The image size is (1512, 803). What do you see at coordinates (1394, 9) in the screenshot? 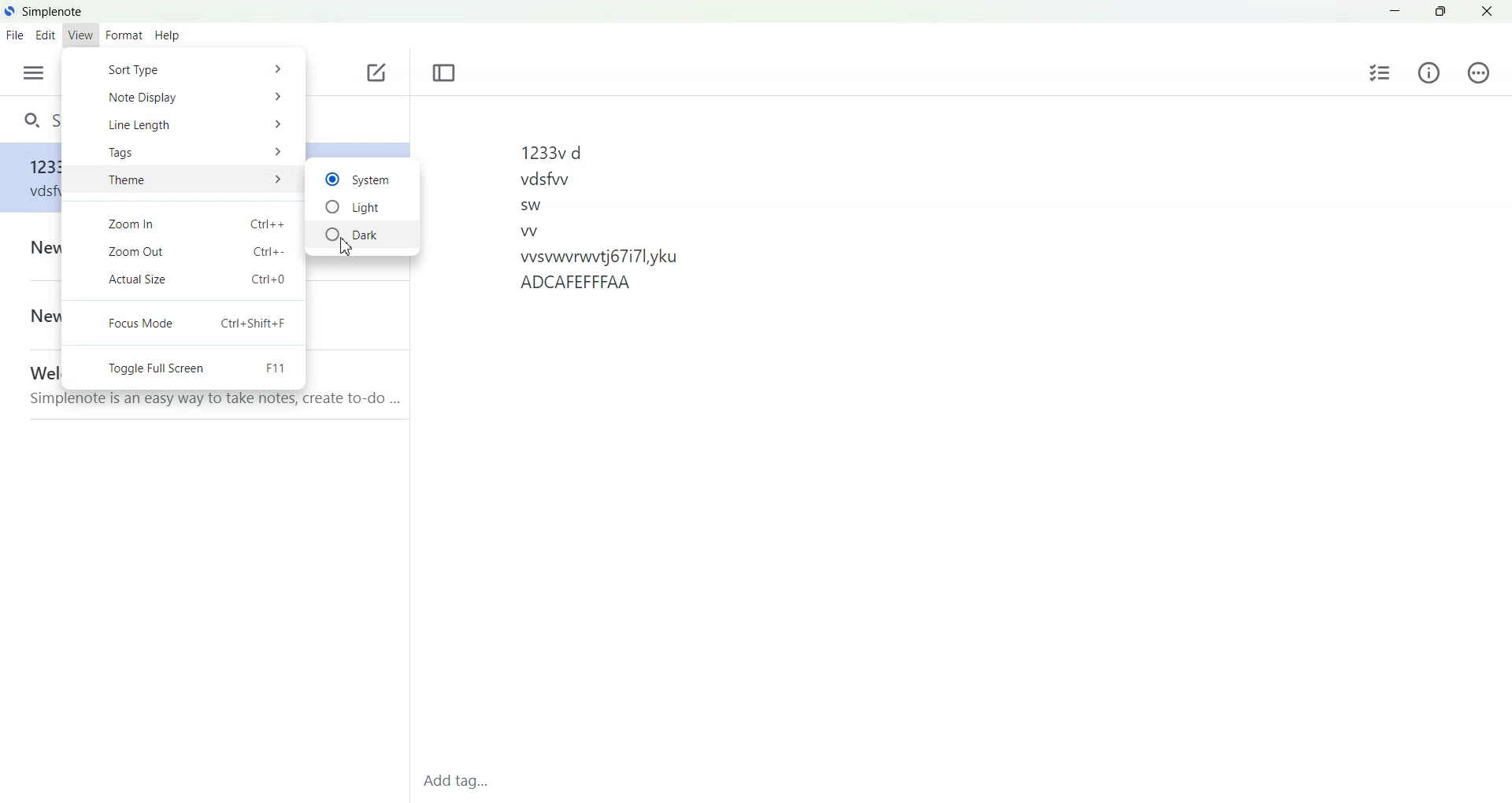
I see `Minimize` at bounding box center [1394, 9].